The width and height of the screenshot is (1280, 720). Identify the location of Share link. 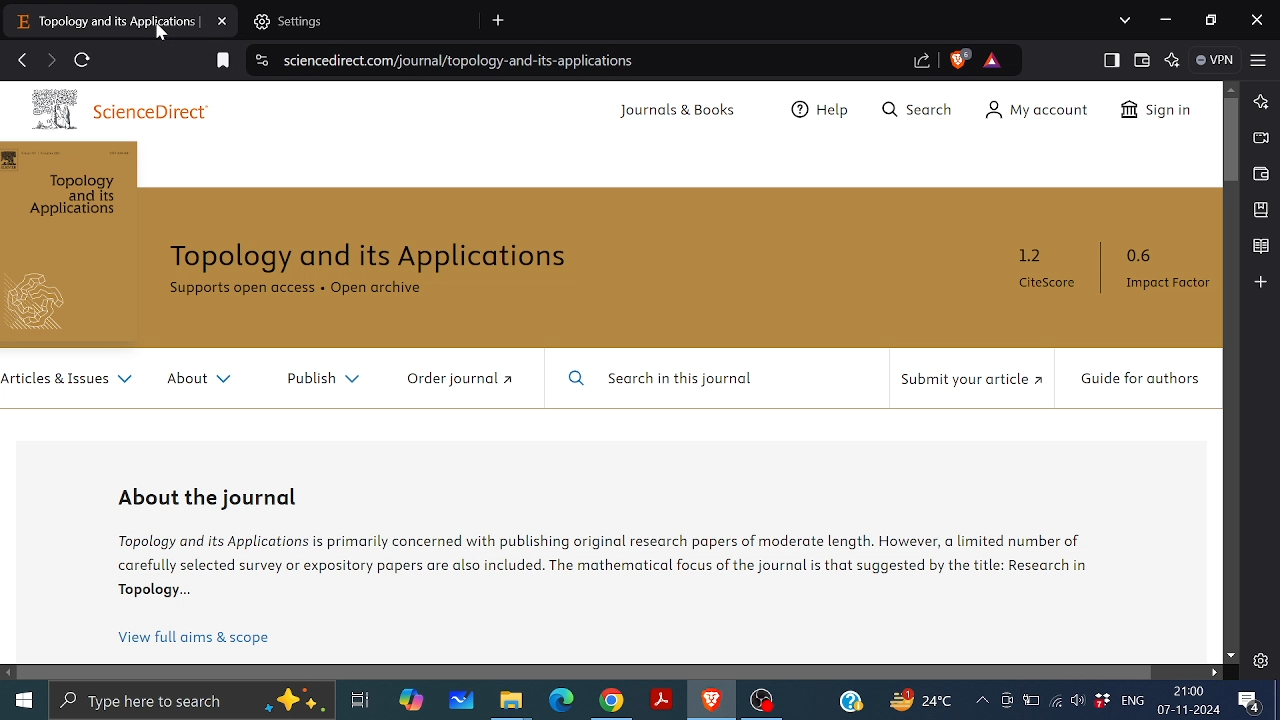
(921, 60).